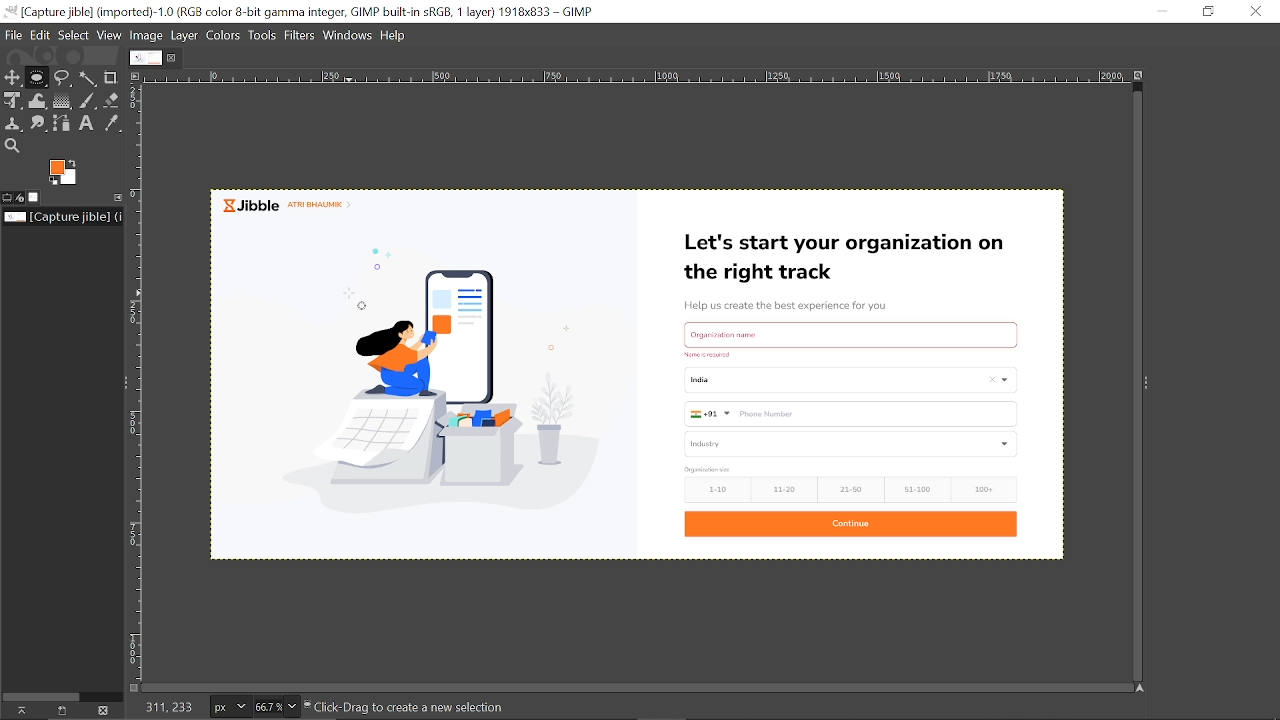 Image resolution: width=1280 pixels, height=720 pixels. I want to click on Smudge tool, so click(40, 123).